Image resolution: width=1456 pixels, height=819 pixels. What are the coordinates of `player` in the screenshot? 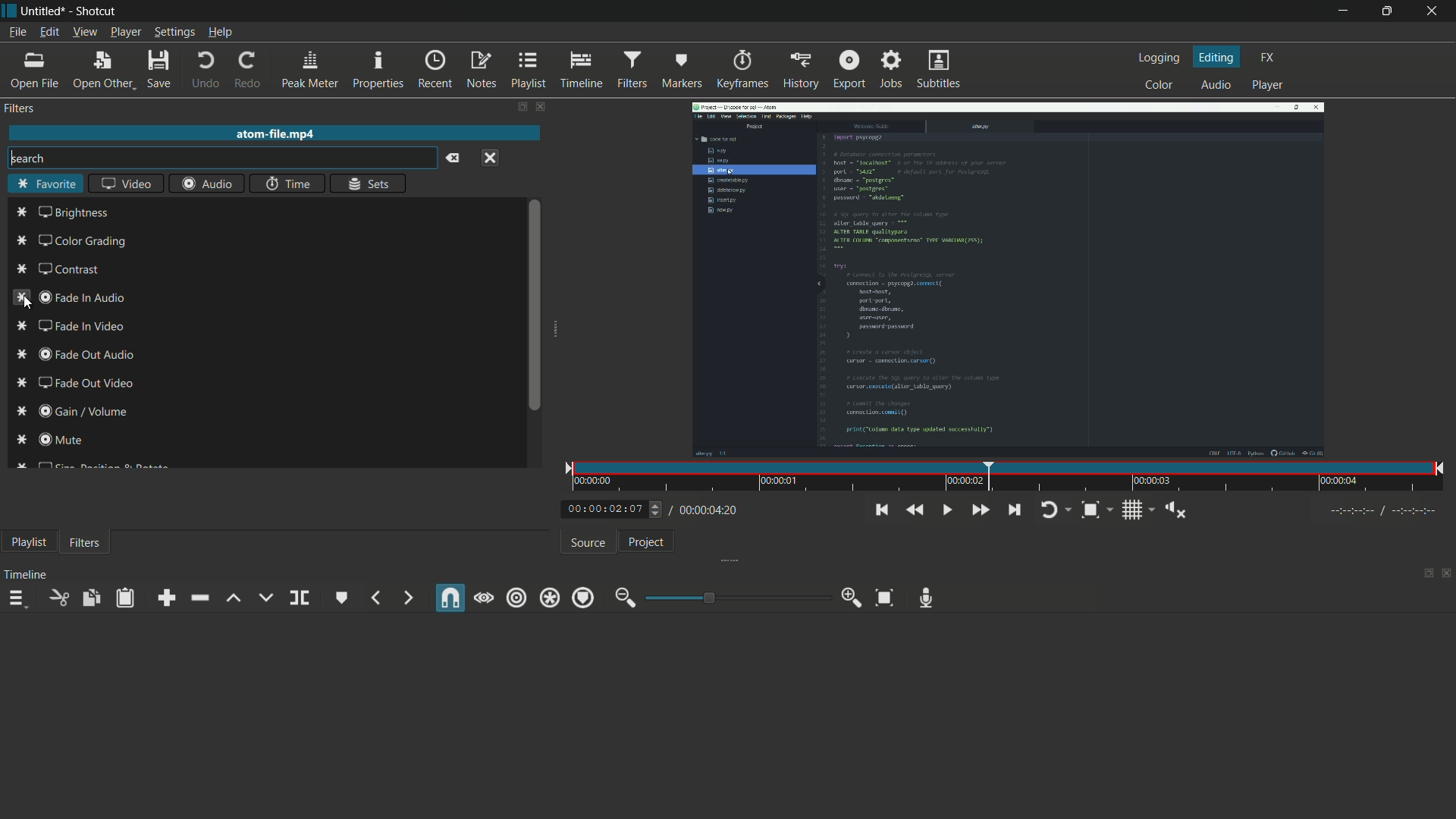 It's located at (1266, 86).